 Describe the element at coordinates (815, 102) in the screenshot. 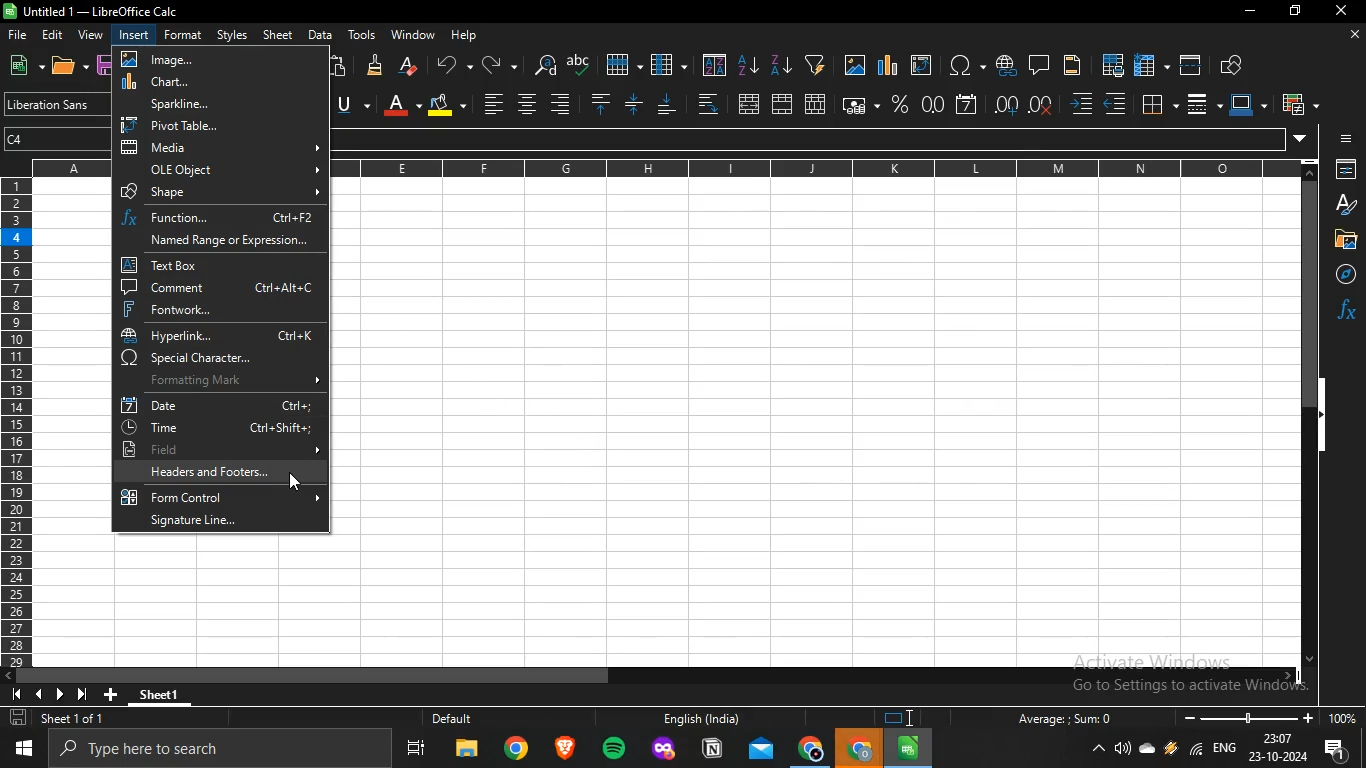

I see `unmerge cells` at that location.